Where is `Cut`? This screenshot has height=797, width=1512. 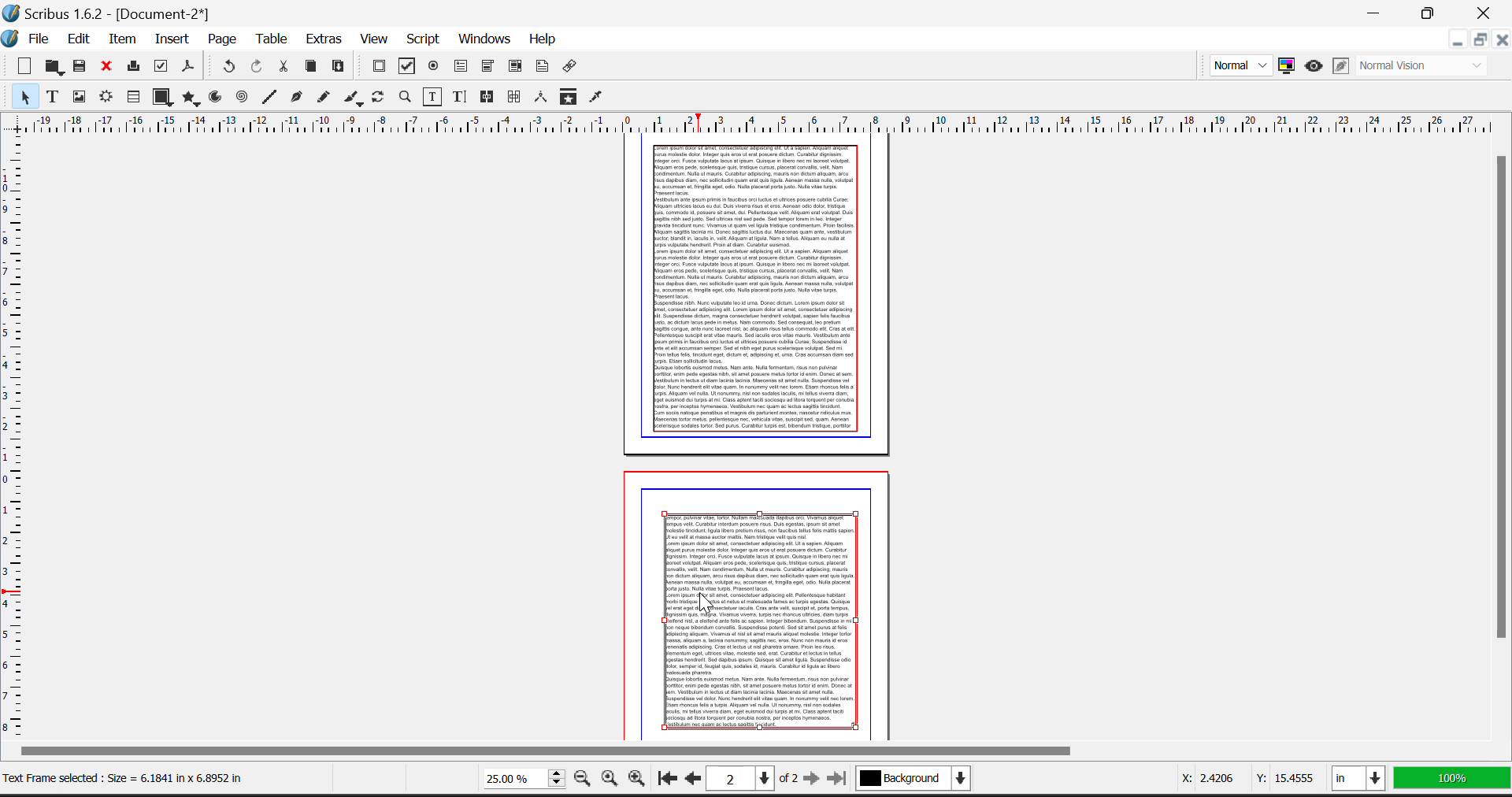 Cut is located at coordinates (283, 69).